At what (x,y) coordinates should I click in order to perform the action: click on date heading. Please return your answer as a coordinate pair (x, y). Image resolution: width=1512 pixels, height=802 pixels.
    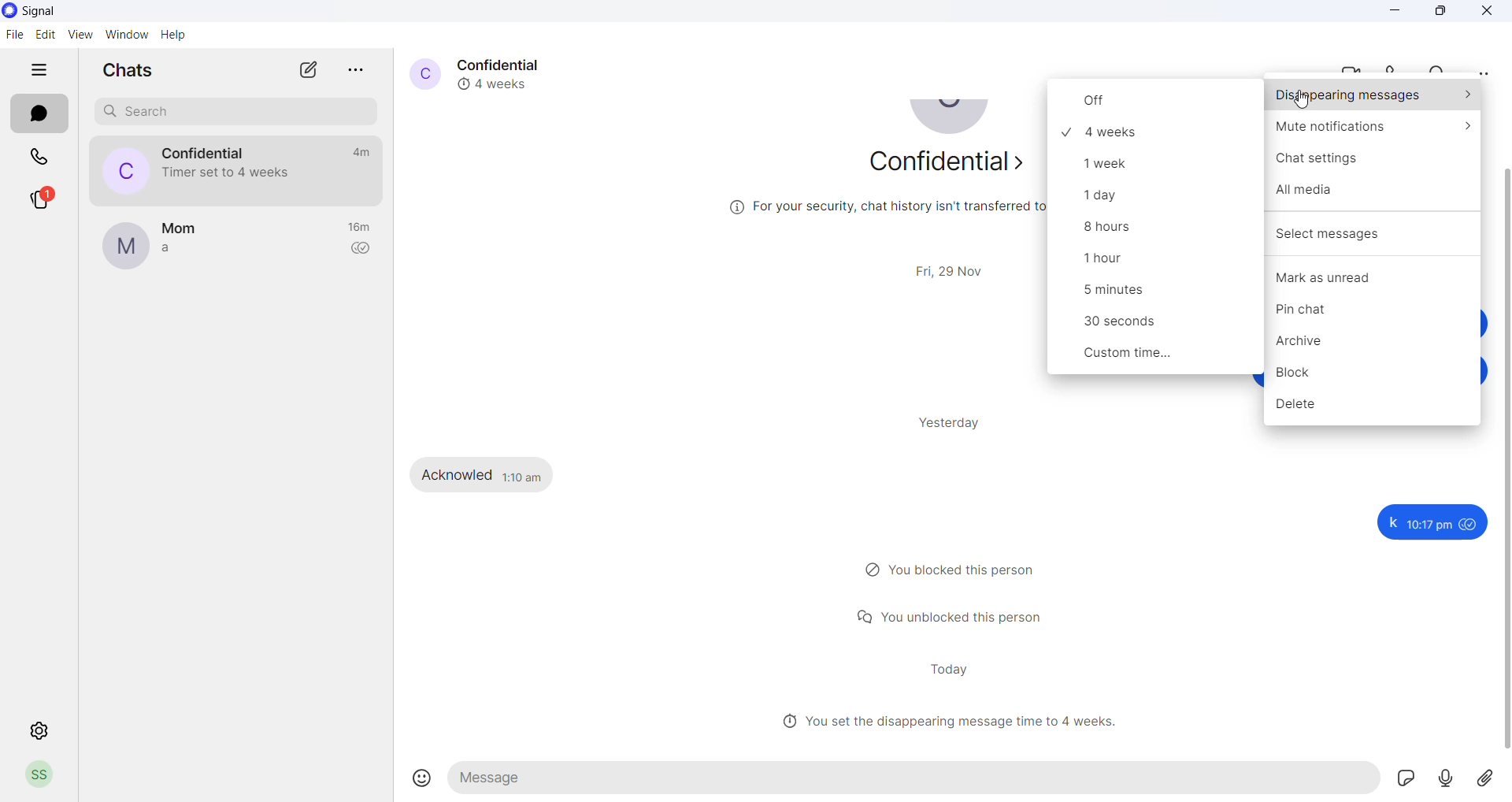
    Looking at the image, I should click on (955, 269).